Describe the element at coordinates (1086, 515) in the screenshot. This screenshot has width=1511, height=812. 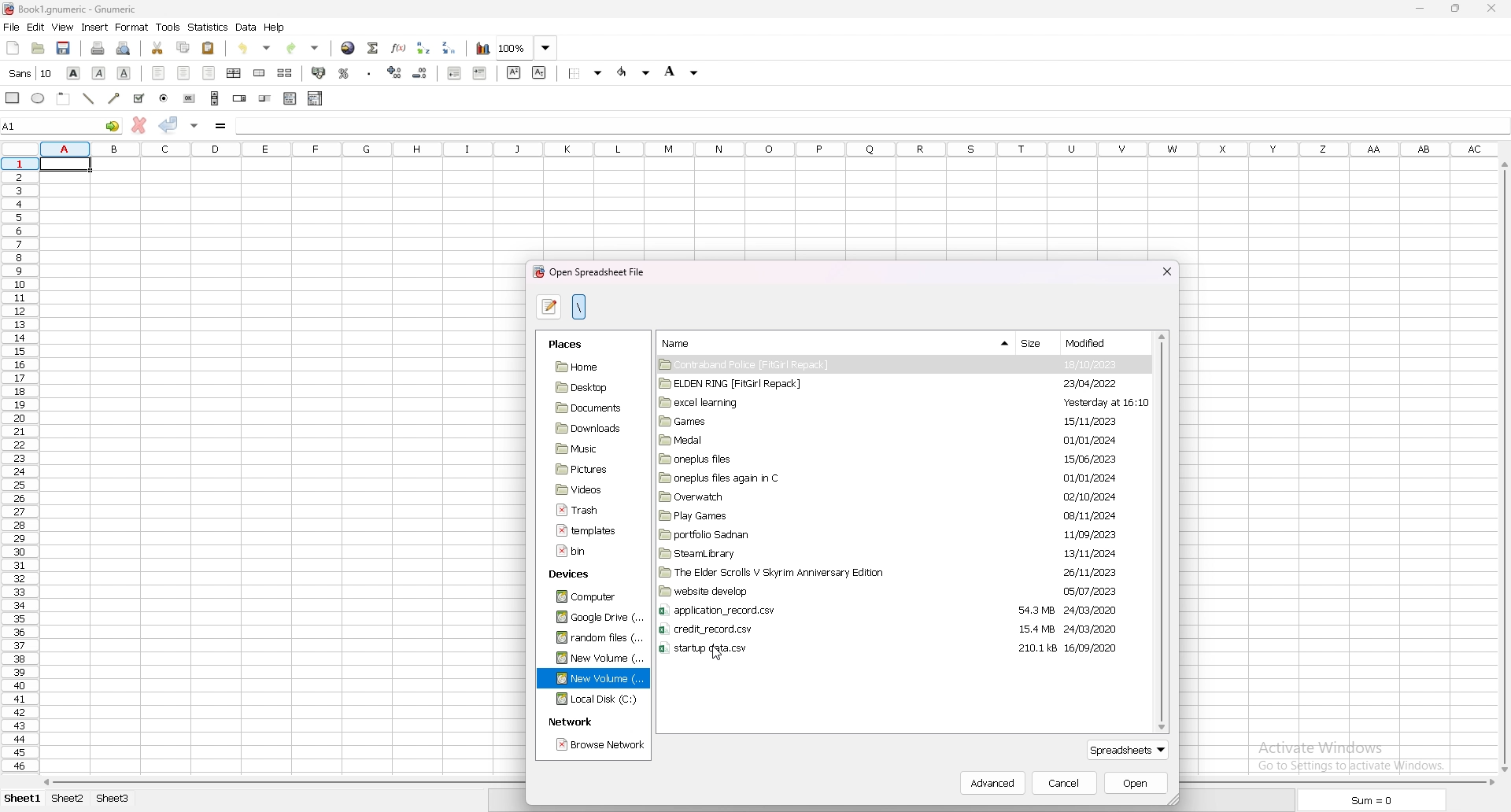
I see `08/11/2024` at that location.